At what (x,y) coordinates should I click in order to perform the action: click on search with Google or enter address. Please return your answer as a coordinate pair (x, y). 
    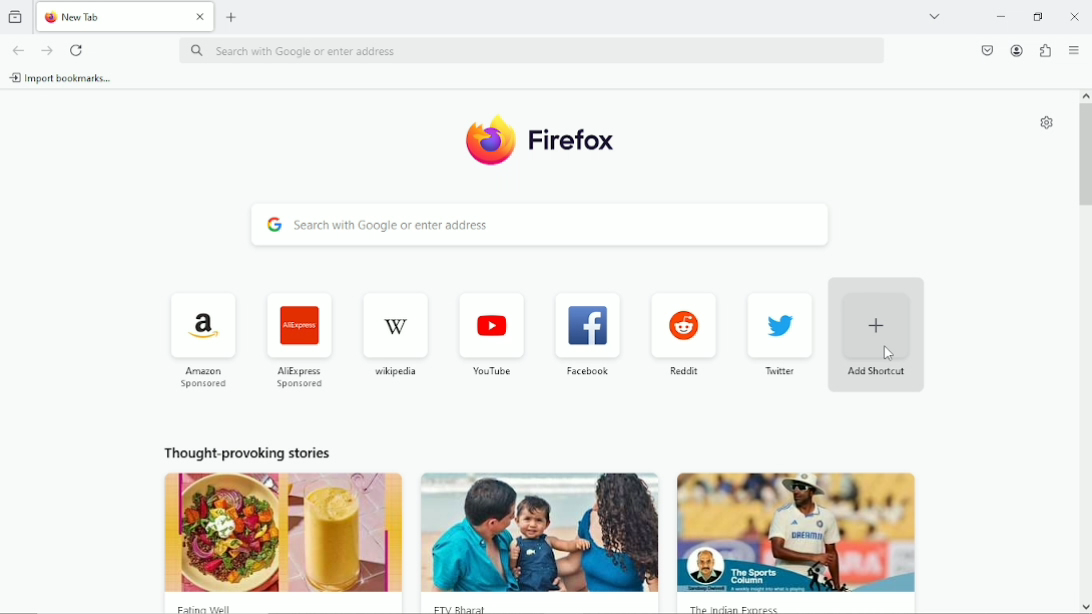
    Looking at the image, I should click on (544, 226).